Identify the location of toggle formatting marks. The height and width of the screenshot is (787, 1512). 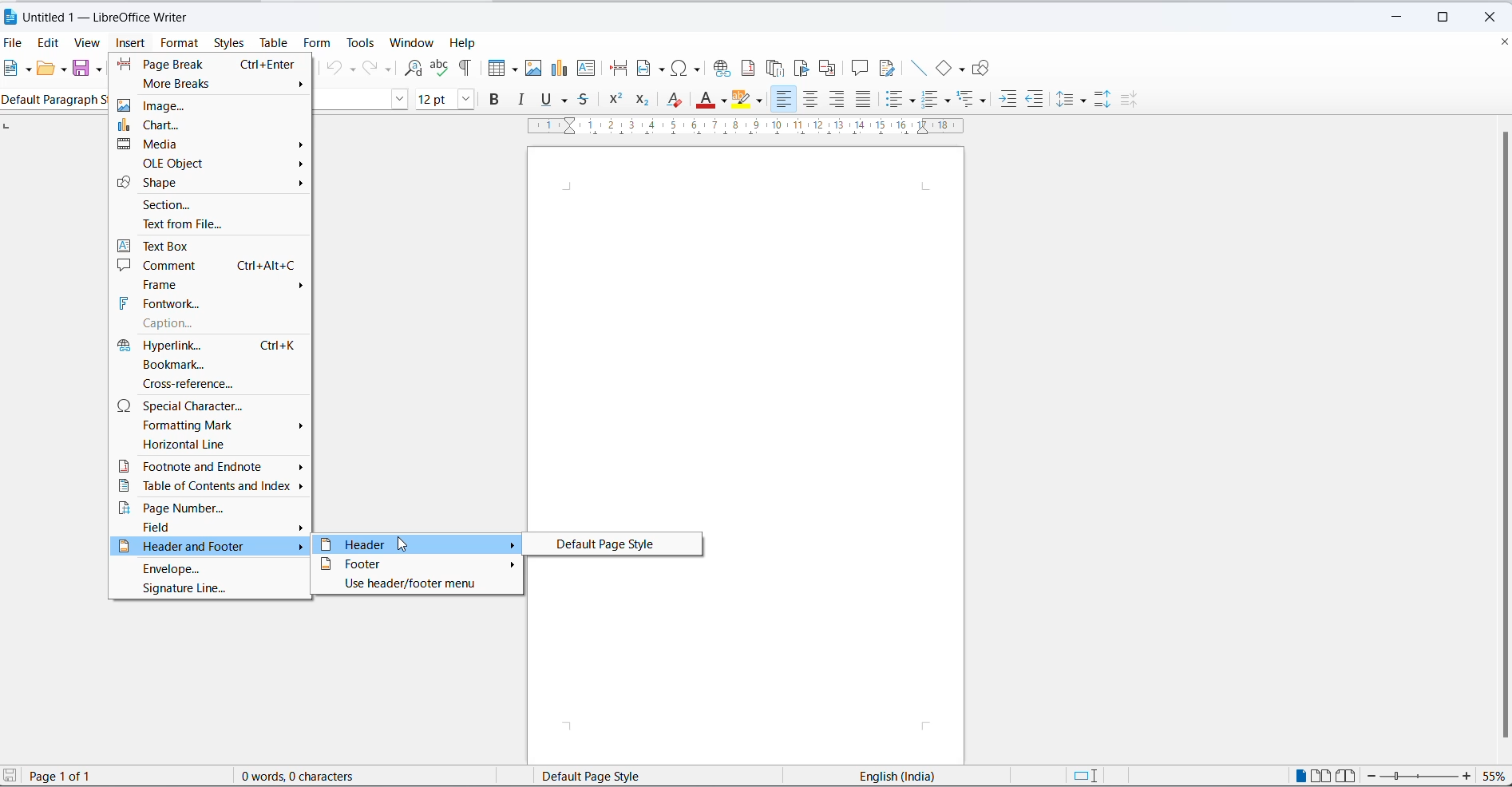
(467, 68).